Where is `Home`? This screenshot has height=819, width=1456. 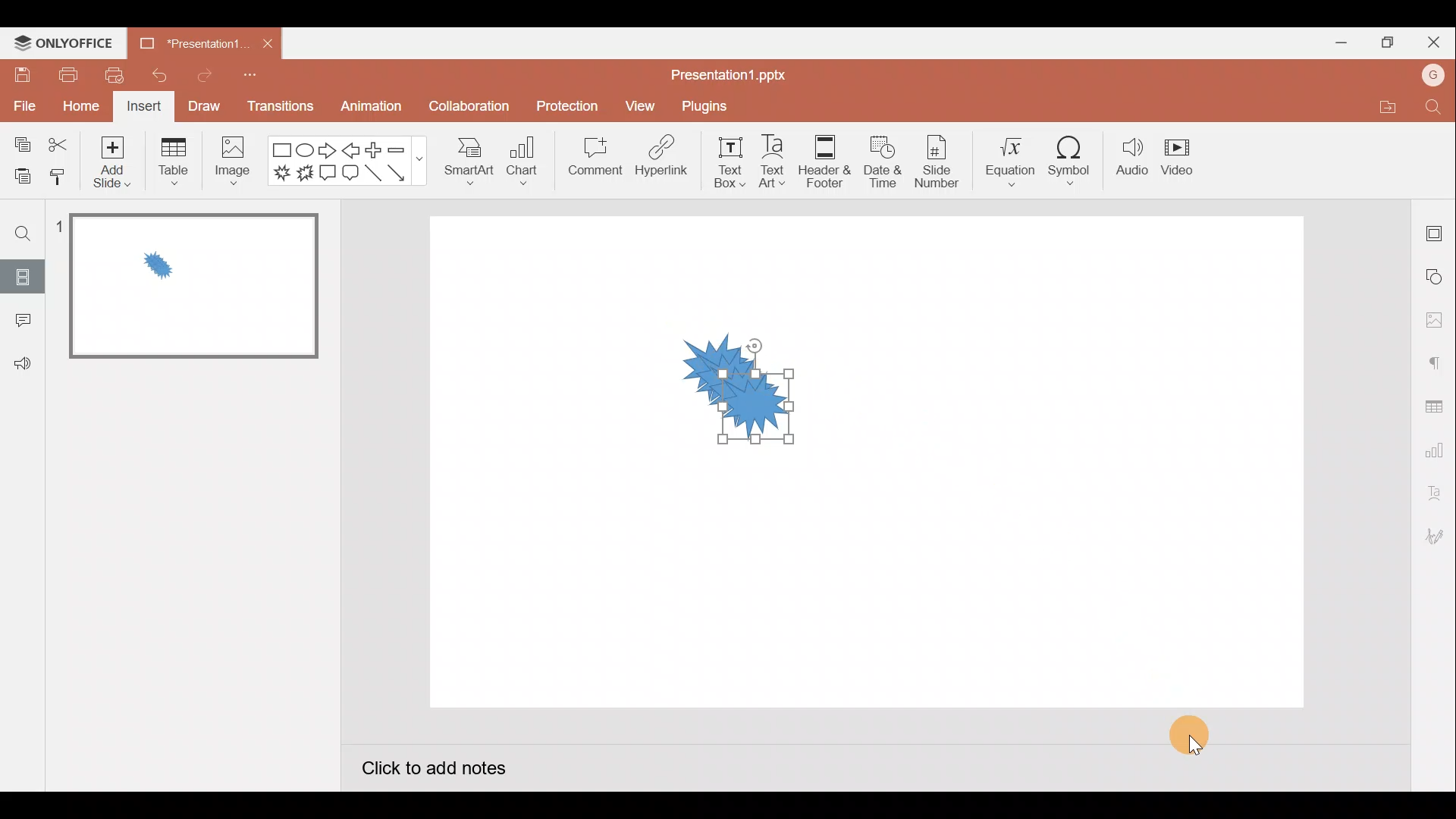
Home is located at coordinates (76, 108).